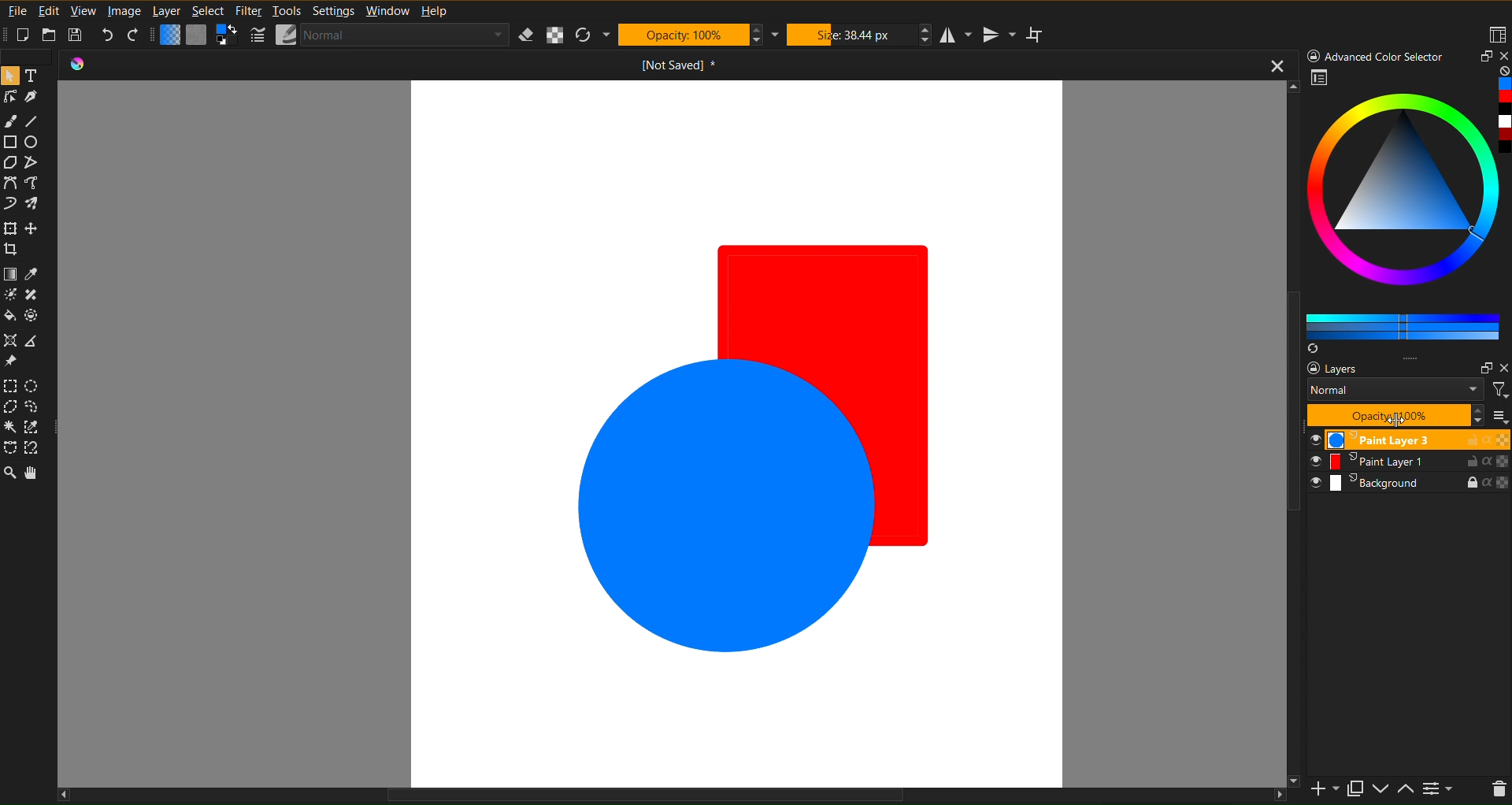 The width and height of the screenshot is (1512, 805). Describe the element at coordinates (35, 339) in the screenshot. I see `Reference Tool` at that location.